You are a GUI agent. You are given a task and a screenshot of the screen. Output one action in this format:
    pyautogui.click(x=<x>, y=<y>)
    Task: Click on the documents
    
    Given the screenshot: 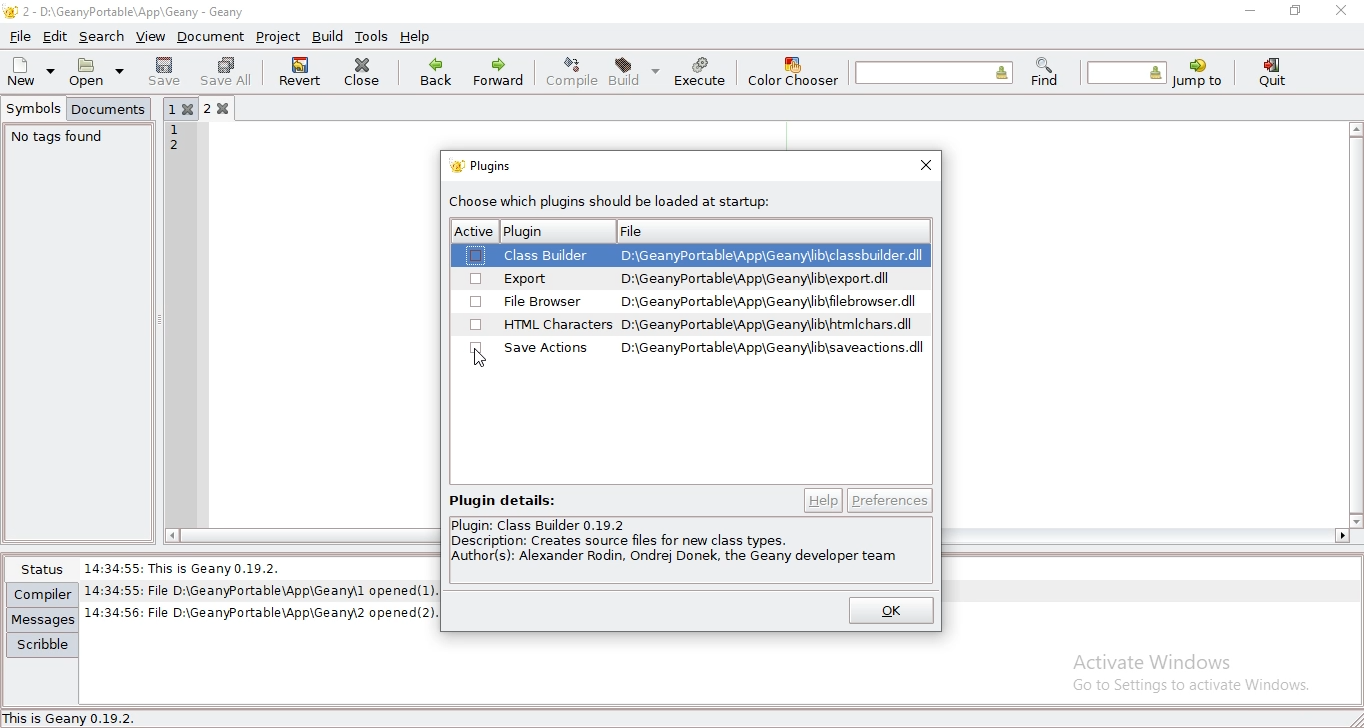 What is the action you would take?
    pyautogui.click(x=110, y=110)
    